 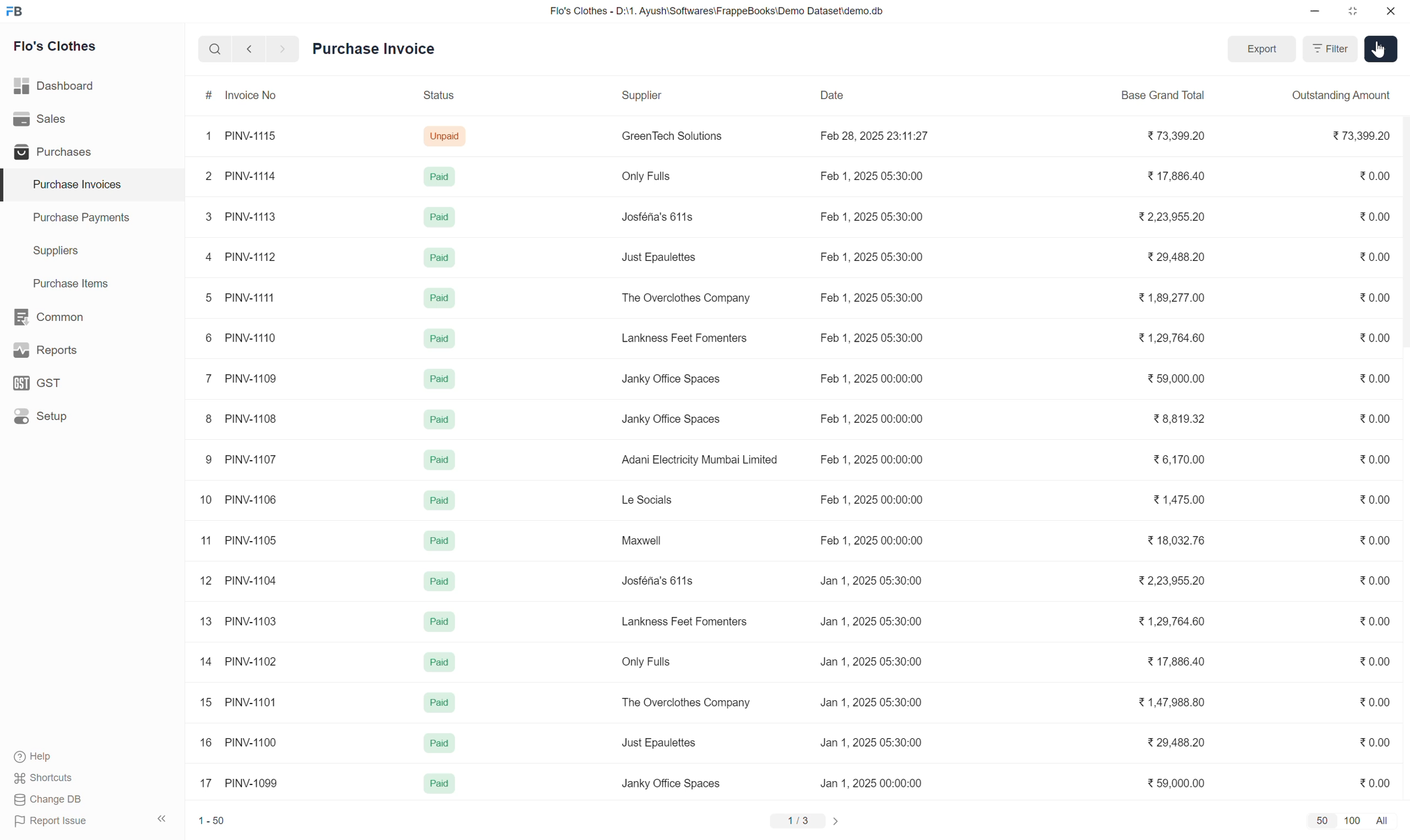 What do you see at coordinates (1364, 136) in the screenshot?
I see `Rs. 73,399.20` at bounding box center [1364, 136].